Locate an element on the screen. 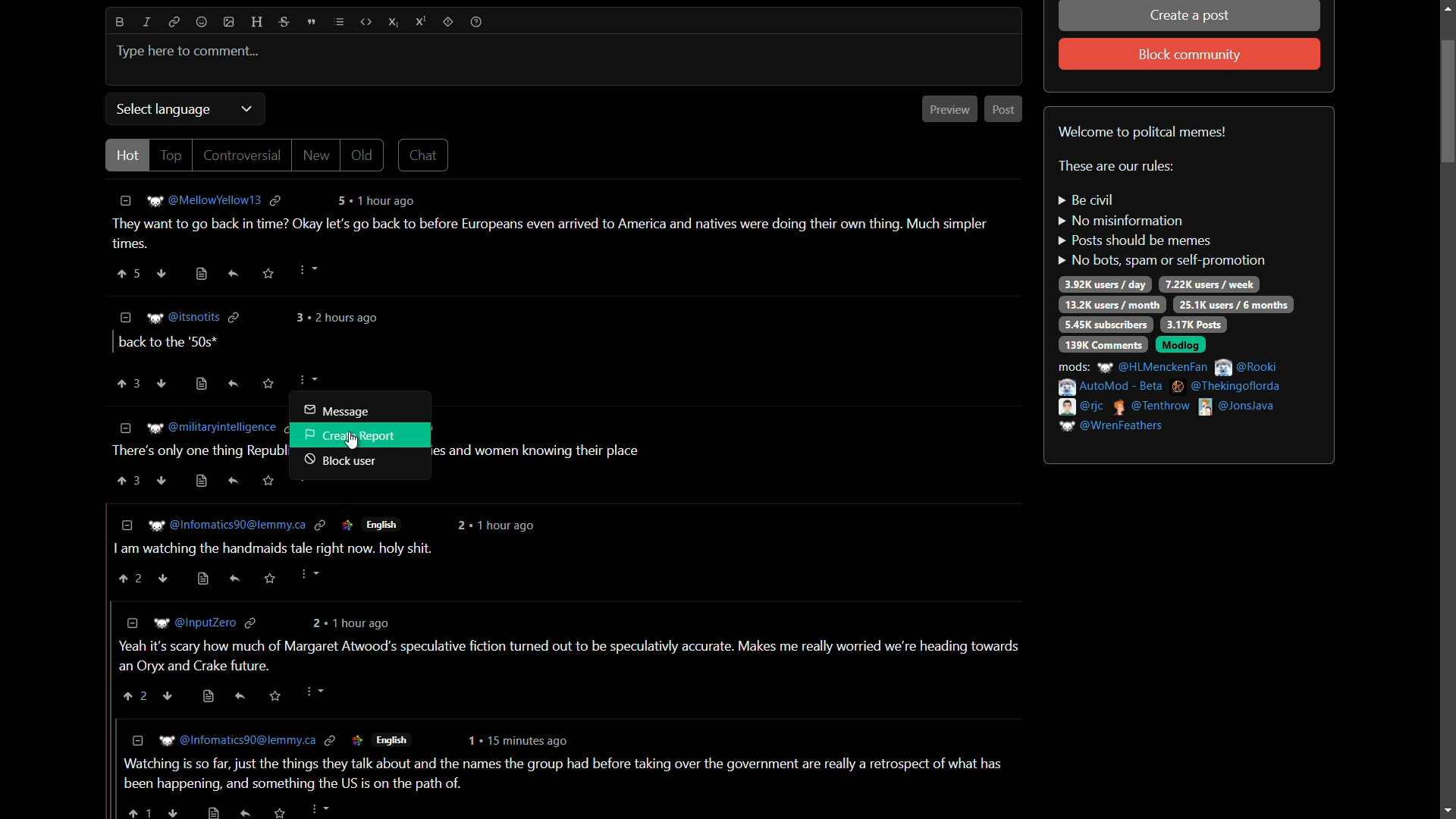  5.45k subscribers is located at coordinates (1106, 325).